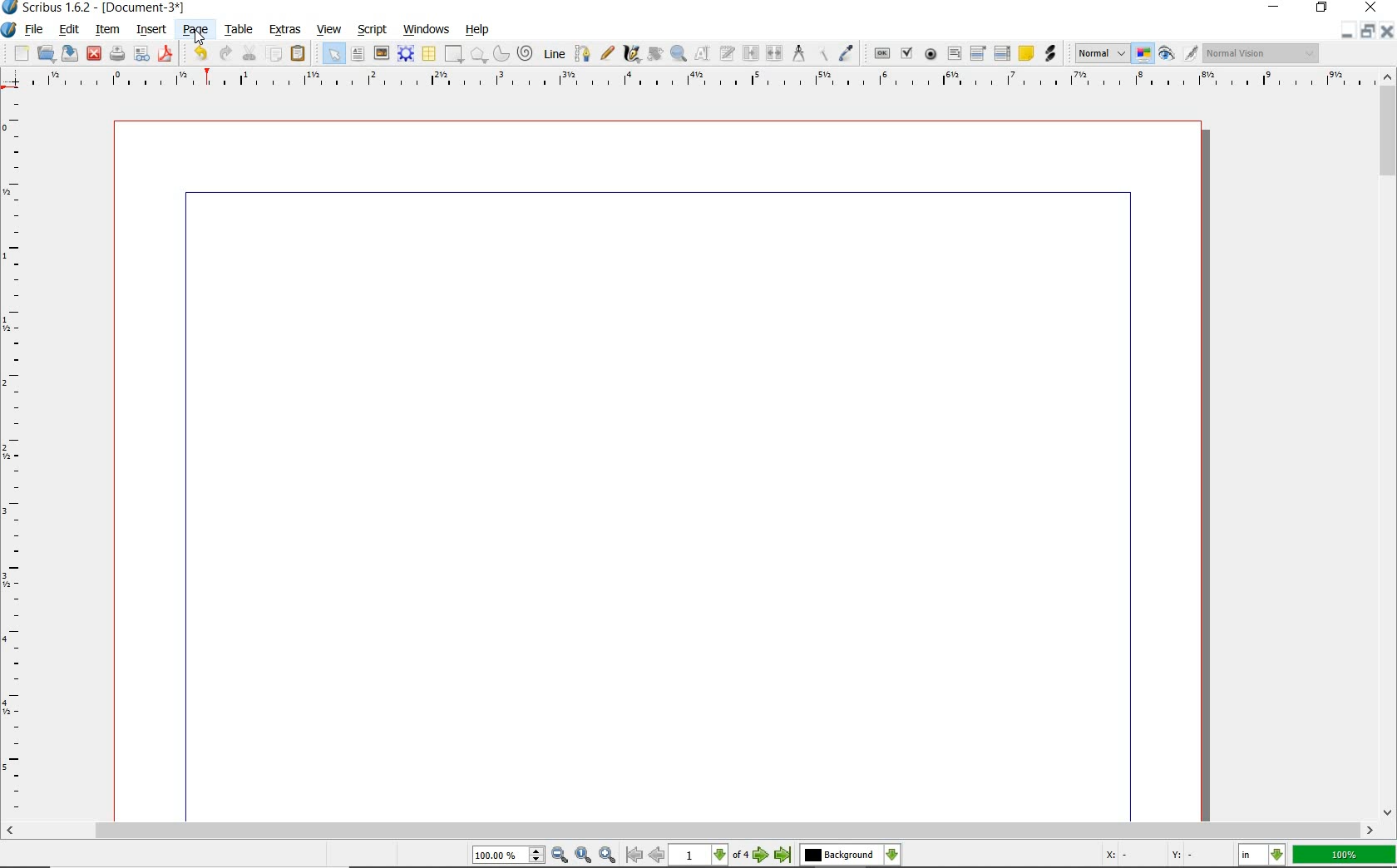 Image resolution: width=1397 pixels, height=868 pixels. What do you see at coordinates (117, 52) in the screenshot?
I see `print` at bounding box center [117, 52].